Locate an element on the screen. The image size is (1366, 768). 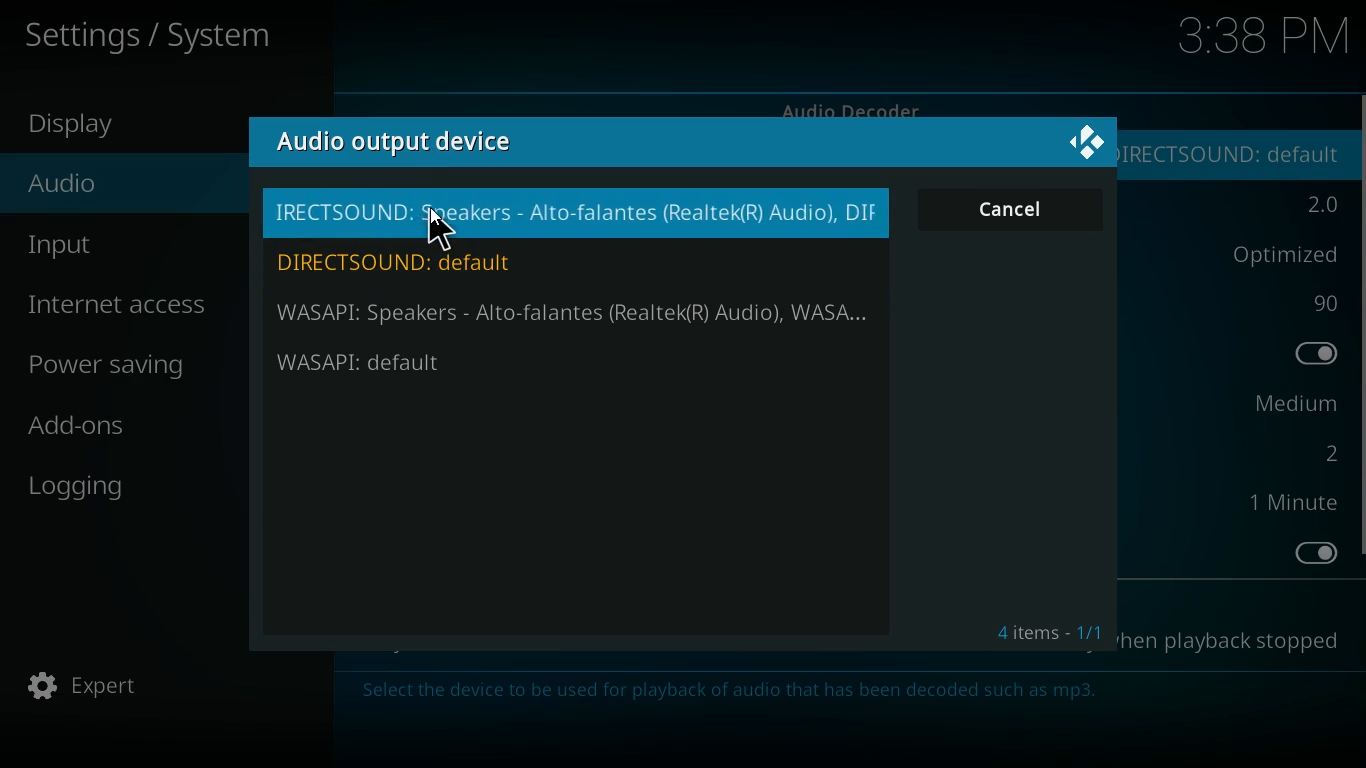
kodi logo is located at coordinates (1089, 144).